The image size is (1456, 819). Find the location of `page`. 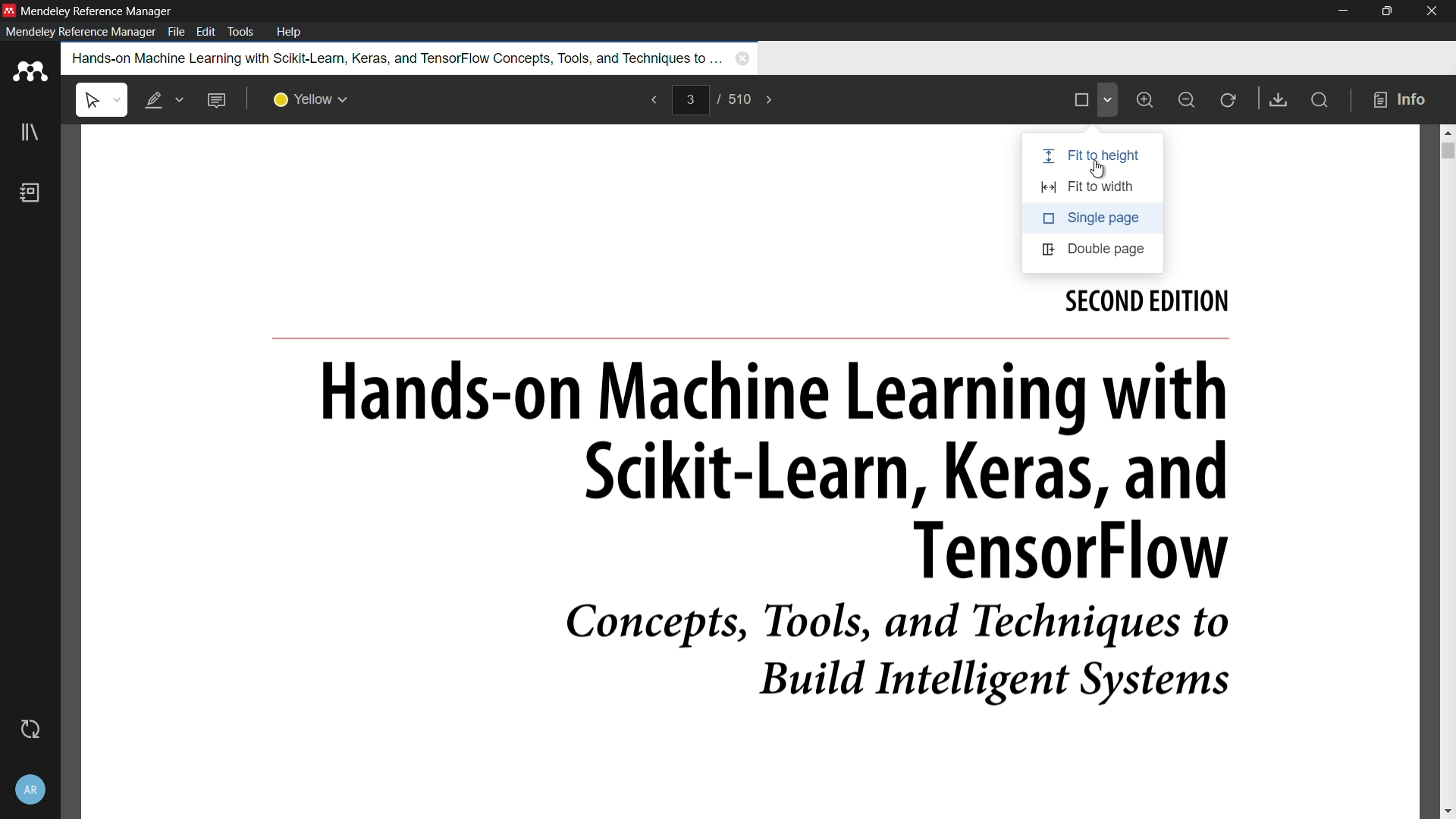

page is located at coordinates (752, 549).